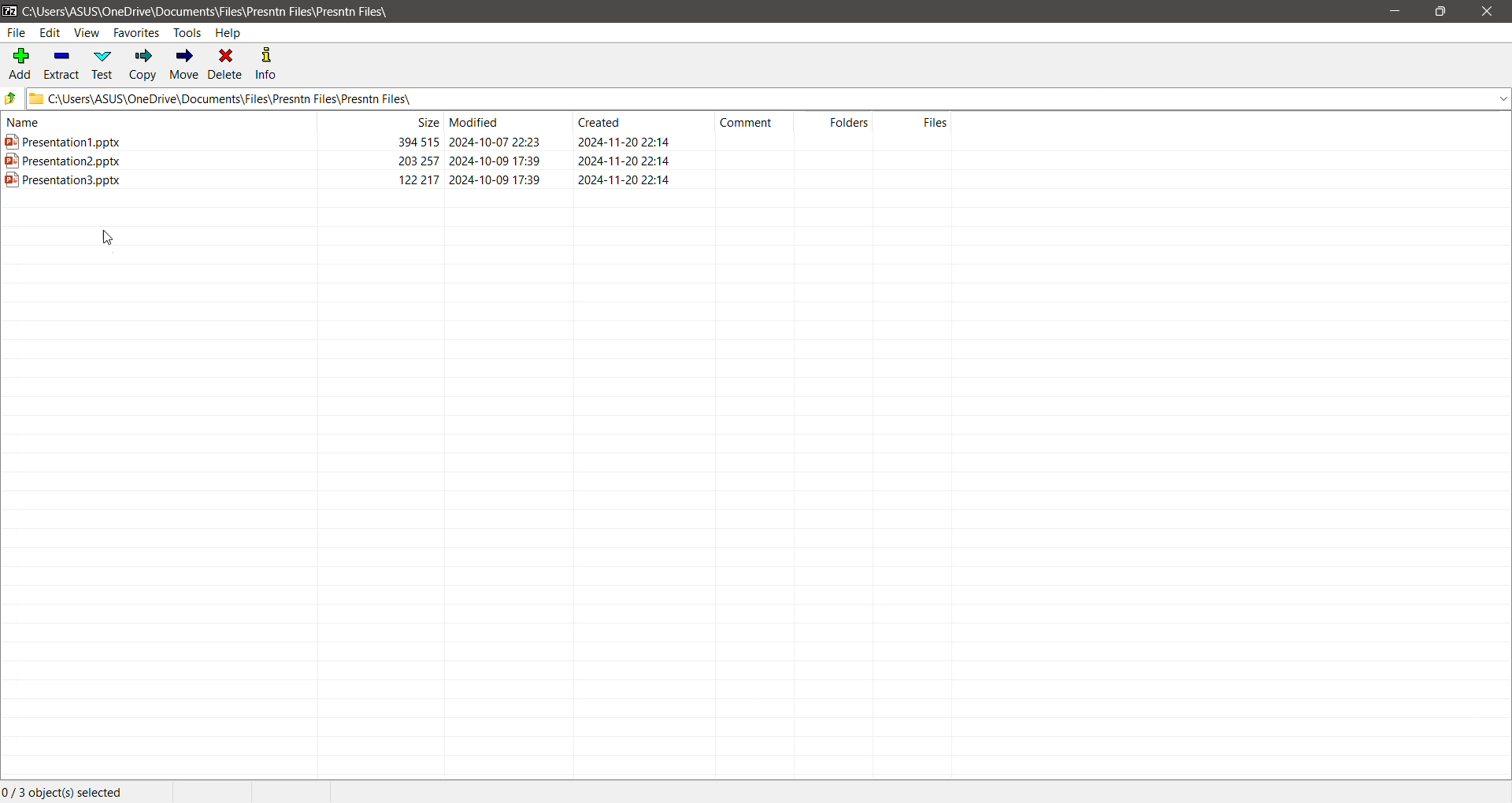  What do you see at coordinates (19, 62) in the screenshot?
I see `Add` at bounding box center [19, 62].